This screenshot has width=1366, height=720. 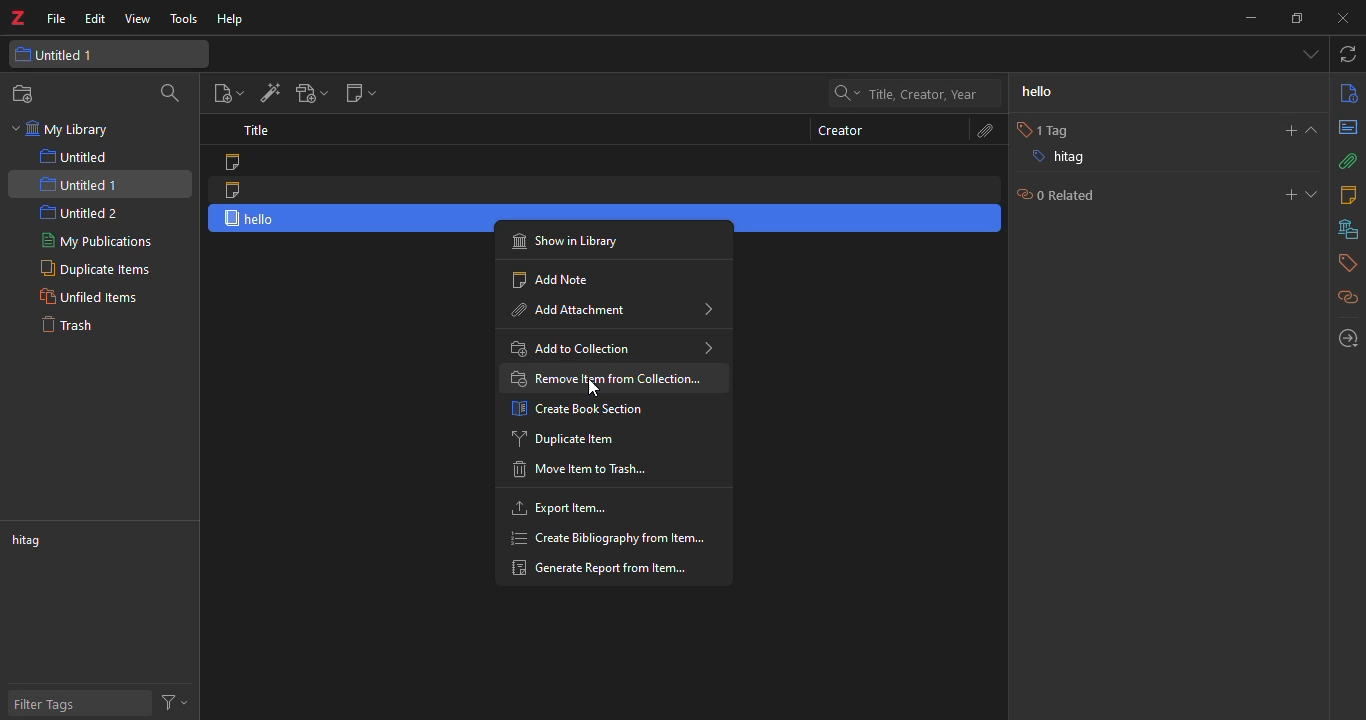 I want to click on minimize, so click(x=1243, y=20).